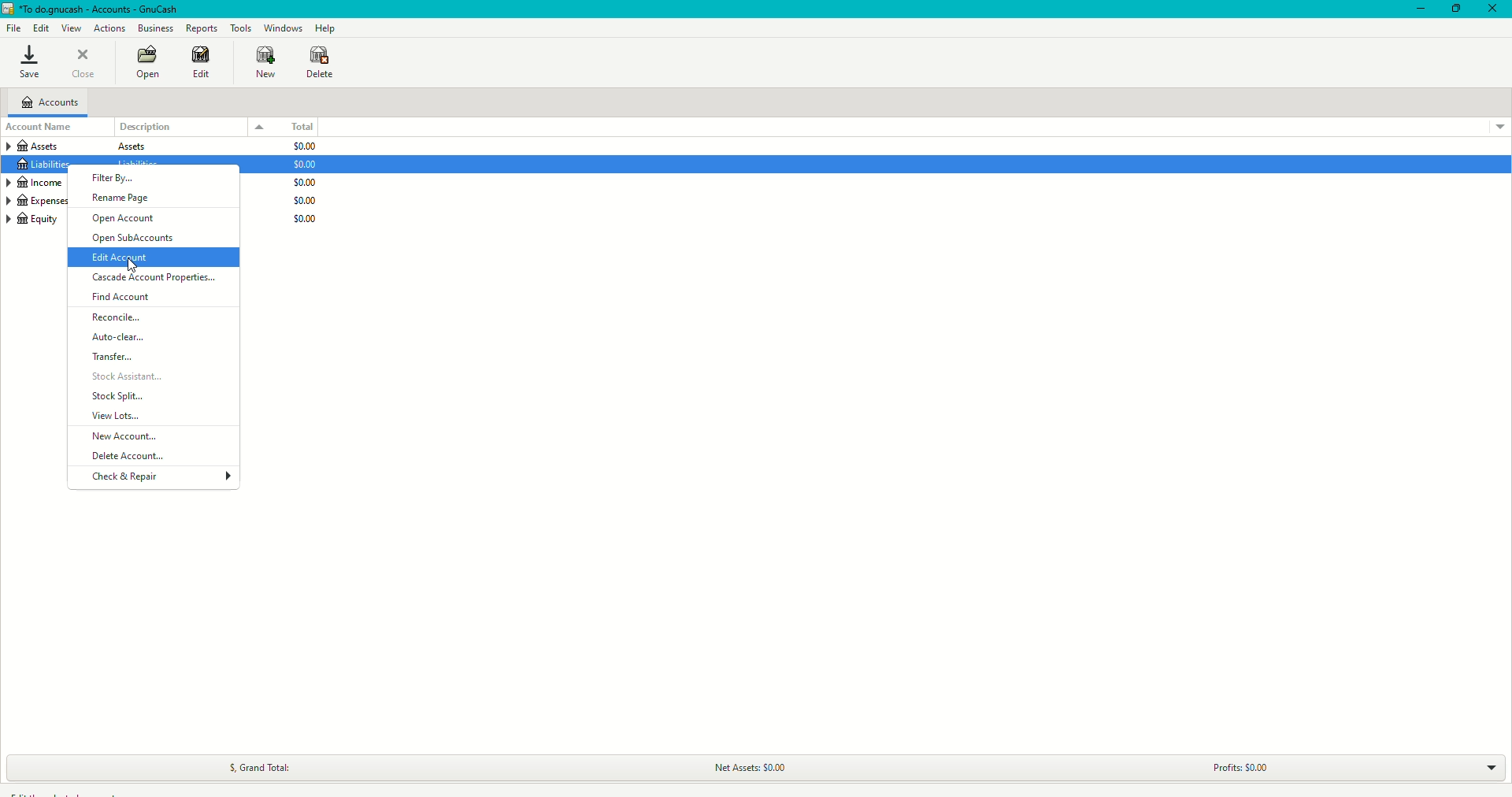  Describe the element at coordinates (747, 769) in the screenshot. I see `Net Assets` at that location.